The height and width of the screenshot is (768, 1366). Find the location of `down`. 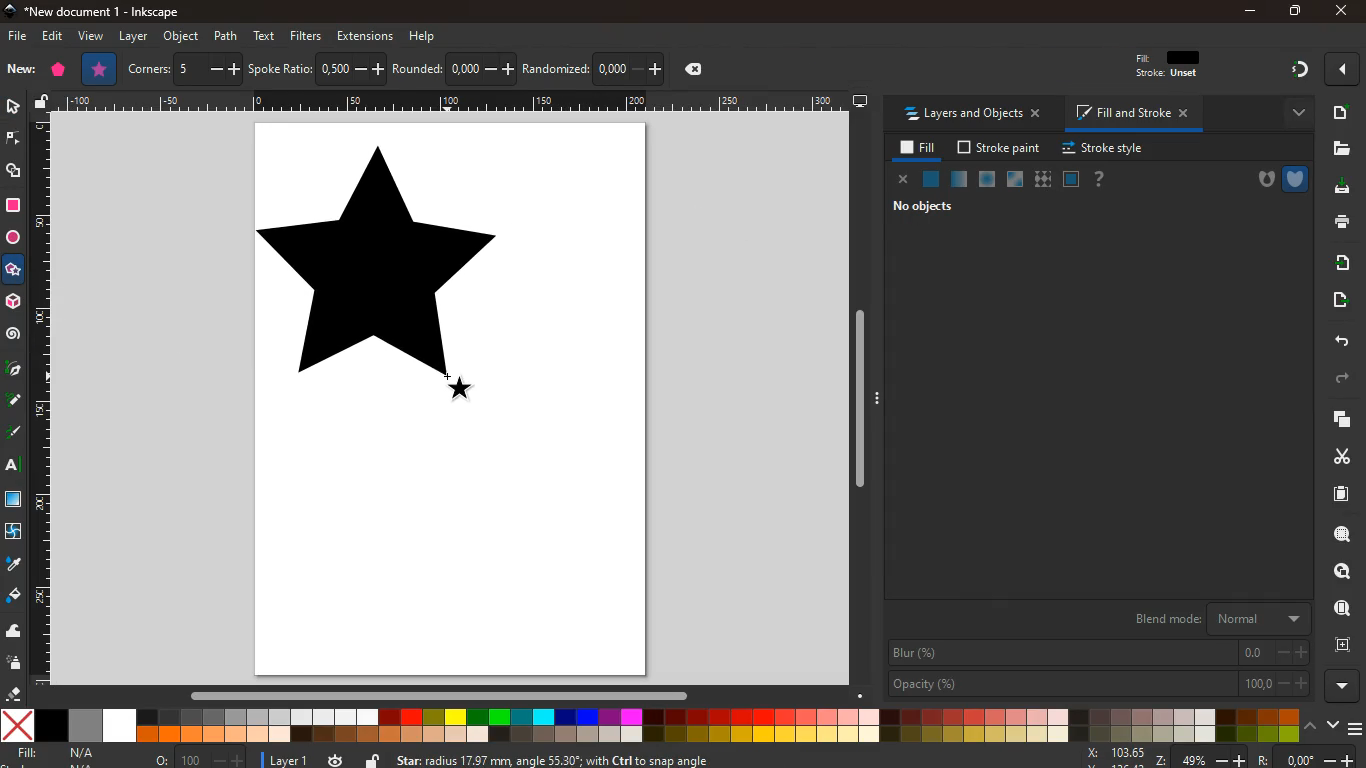

down is located at coordinates (1333, 726).